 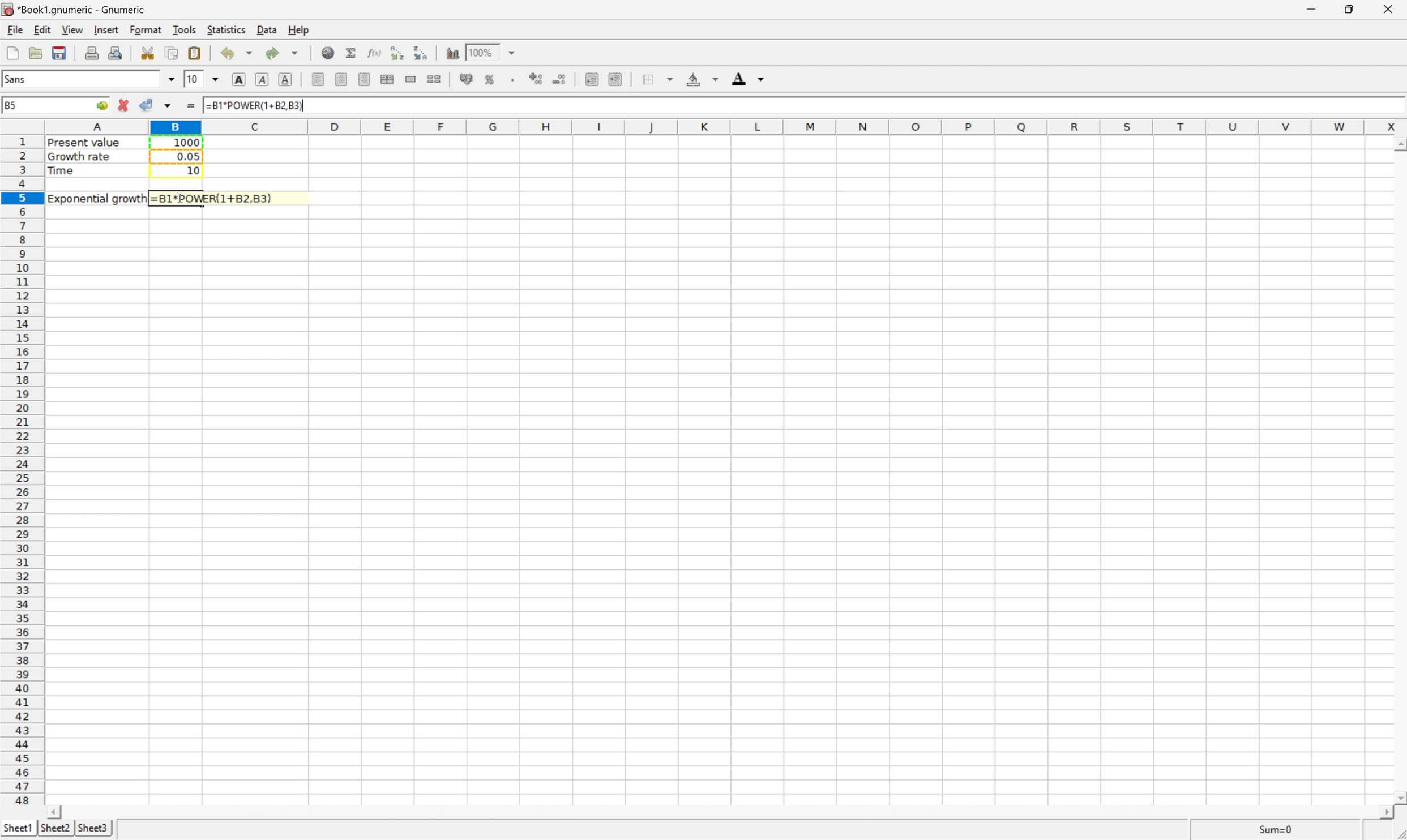 I want to click on 0.05, so click(x=187, y=156).